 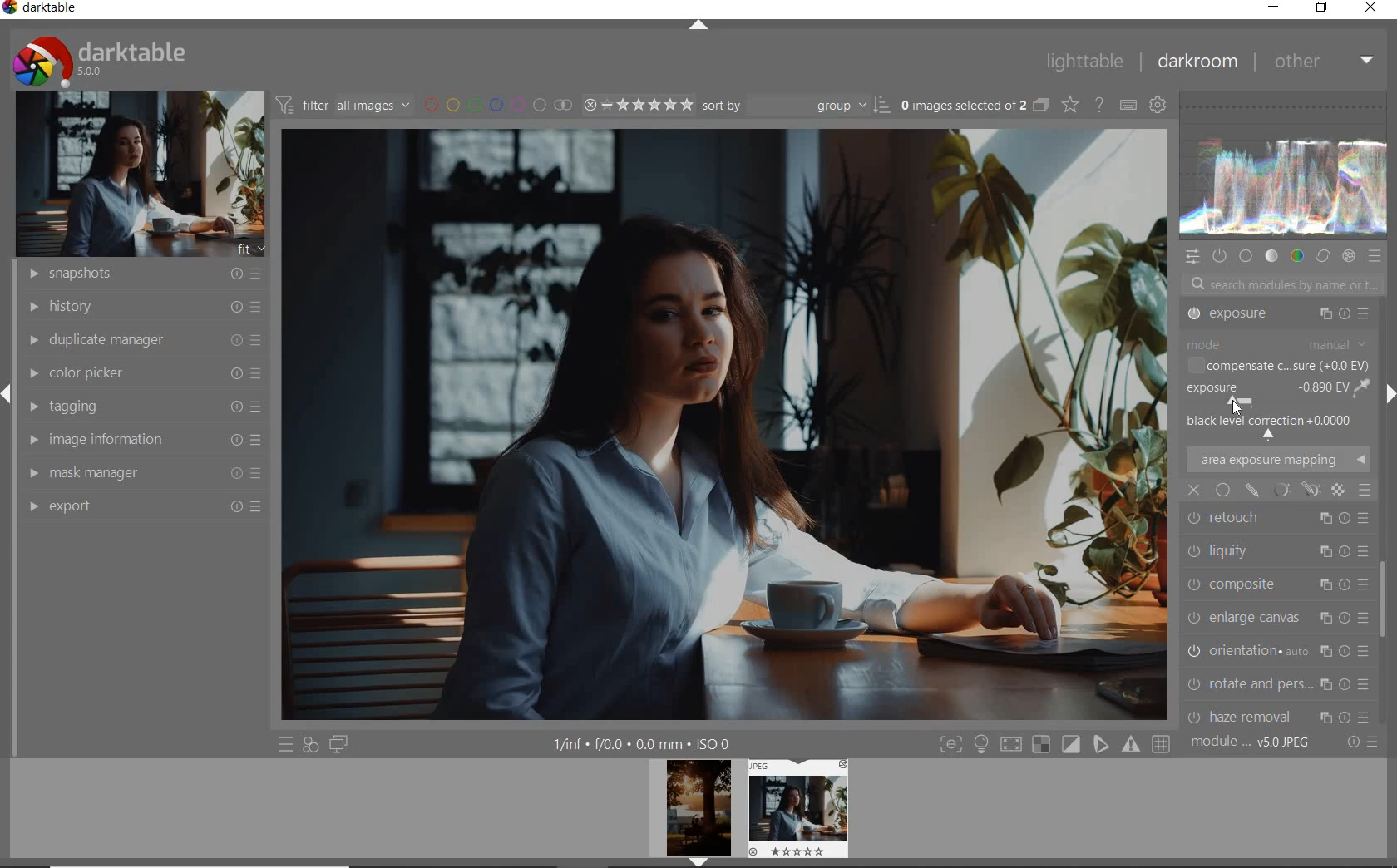 What do you see at coordinates (1248, 405) in the screenshot?
I see `cursor position` at bounding box center [1248, 405].